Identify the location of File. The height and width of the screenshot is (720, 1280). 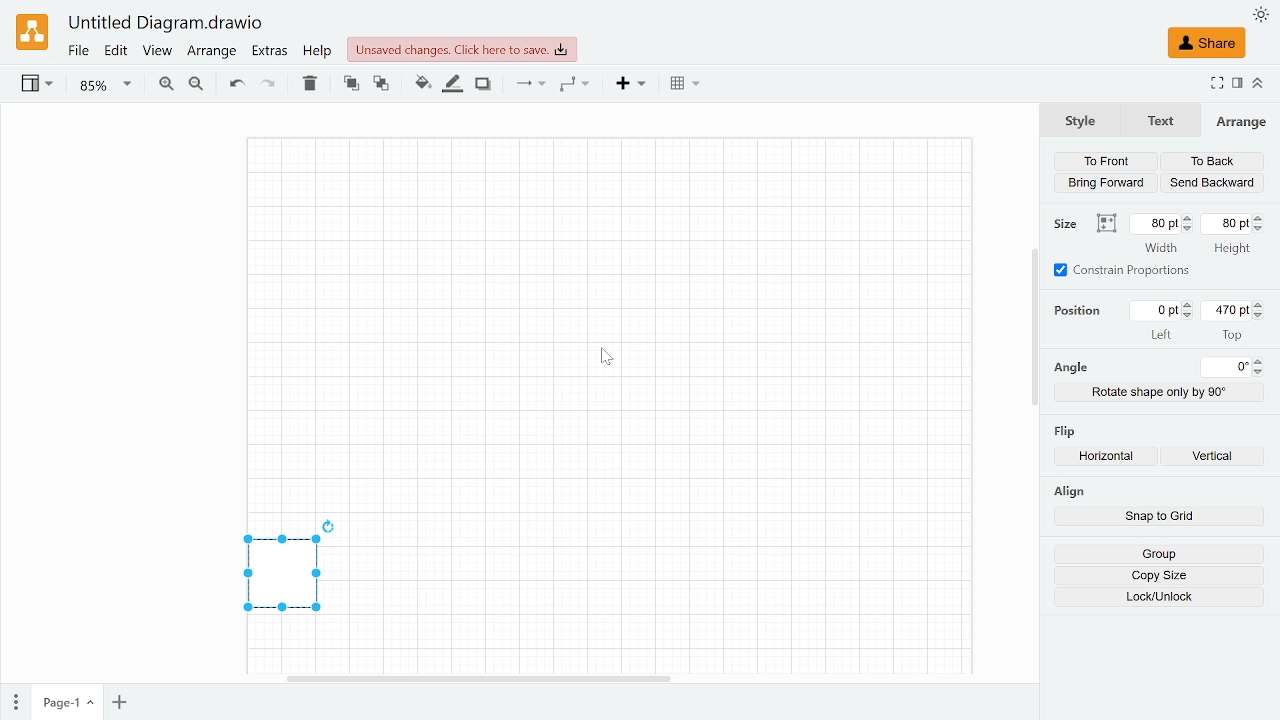
(78, 51).